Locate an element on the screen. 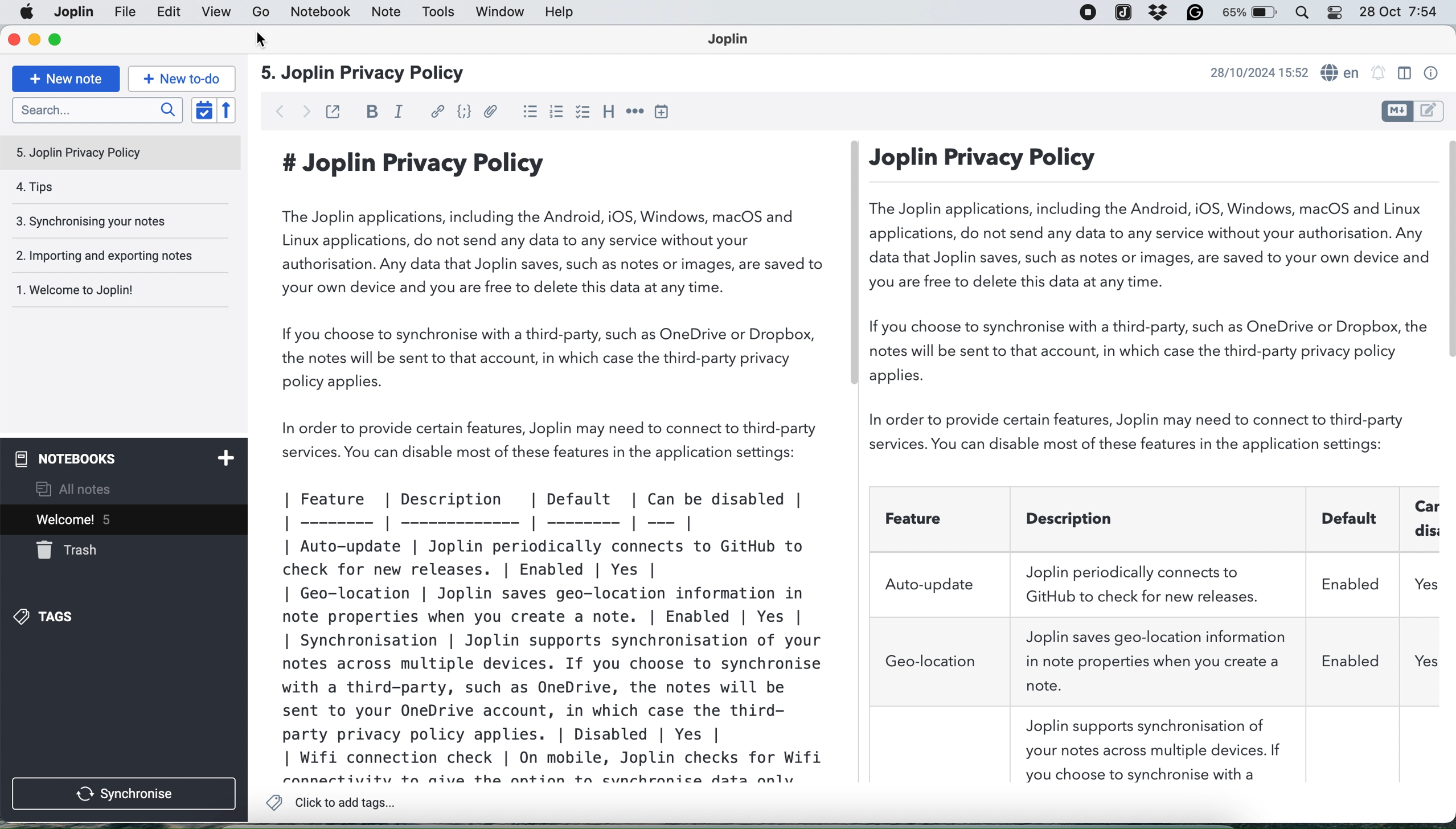 This screenshot has width=1456, height=829.  Joplin Privacy Policy The Joplin applications, including the Android, iOS, Windows, macOS and Linux applications, do not send any data to any service without your authorisation. Any data that Joplin saves, such as notes or images, are saved to your own device and you are free to delete this data at any time. If you choose to synchronise with a third-party, such as OneDrive or Dropbox, the notes will be sent to that account, in which case the third-party privacy policy applies. In order to provide certain features, Joplin may need to connect to third-party services. You can disable most of these features in the application settings: Feature Description Joplin periodically connects to Auto-update GitHub to check for new releases. Joplin saves geo-location information Geo-location in note properties when you create a note. is located at coordinates (1154, 459).